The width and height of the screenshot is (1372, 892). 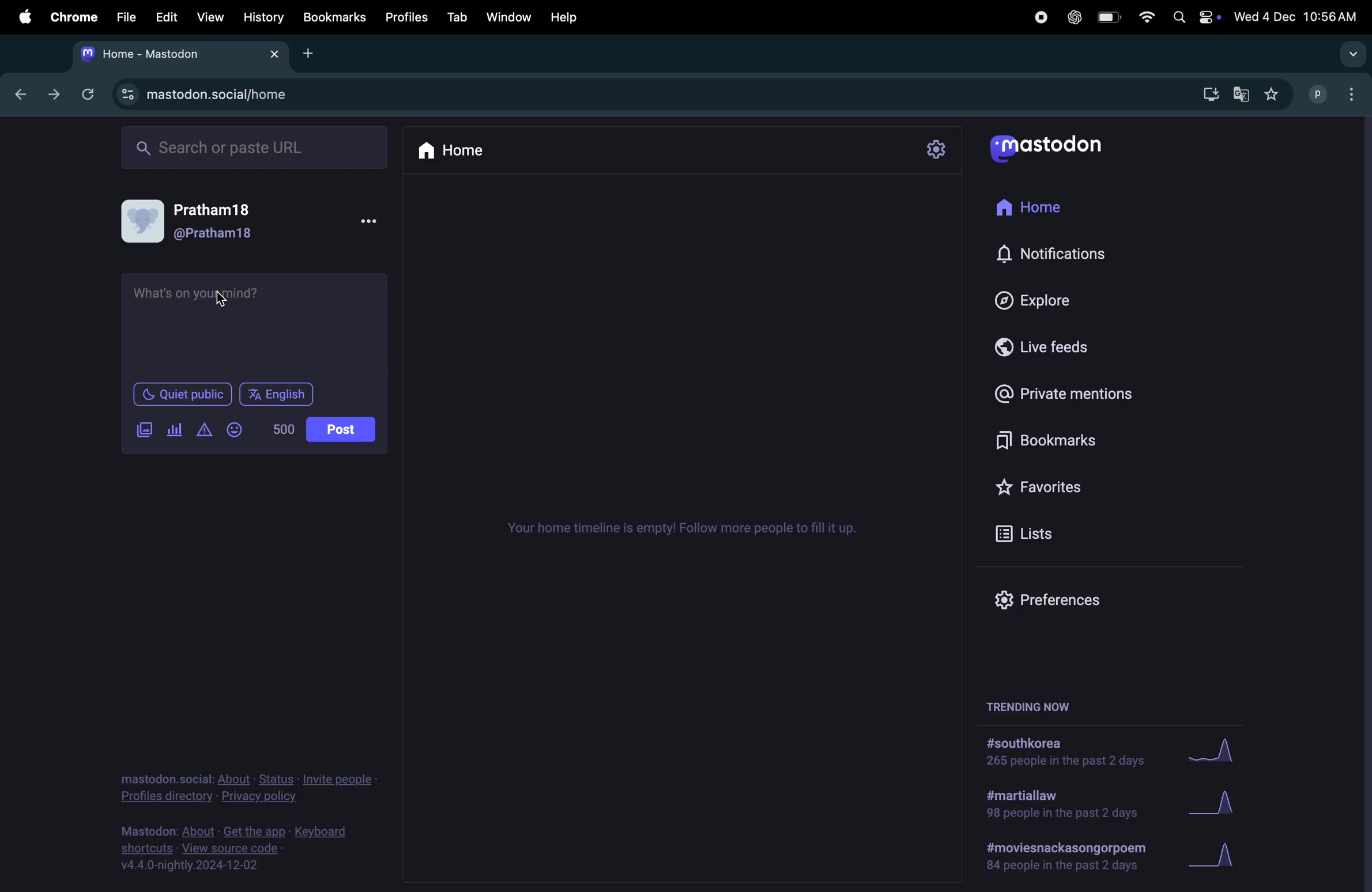 I want to click on wifi, so click(x=1143, y=16).